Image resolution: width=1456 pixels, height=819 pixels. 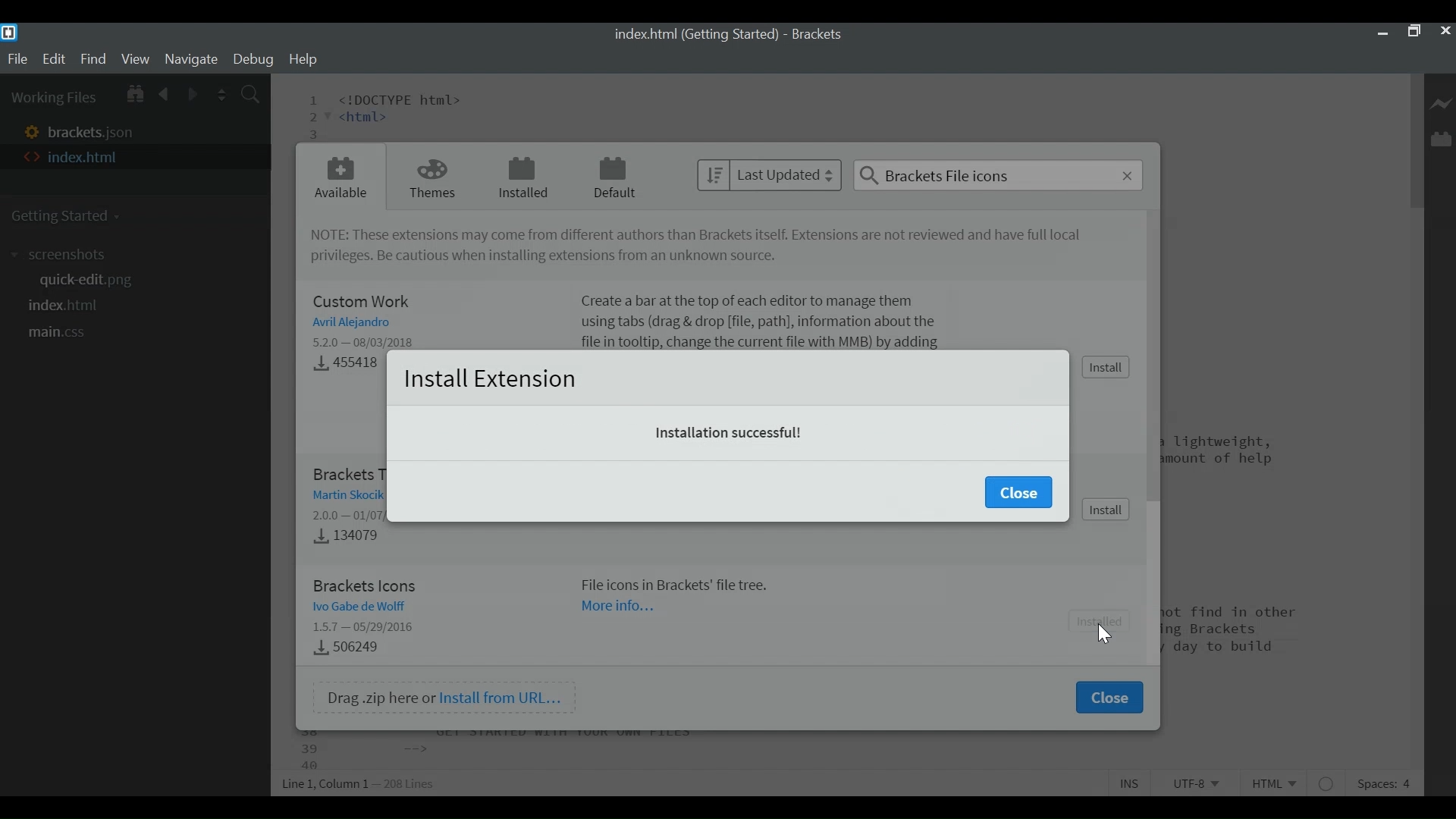 I want to click on Navigate, so click(x=193, y=60).